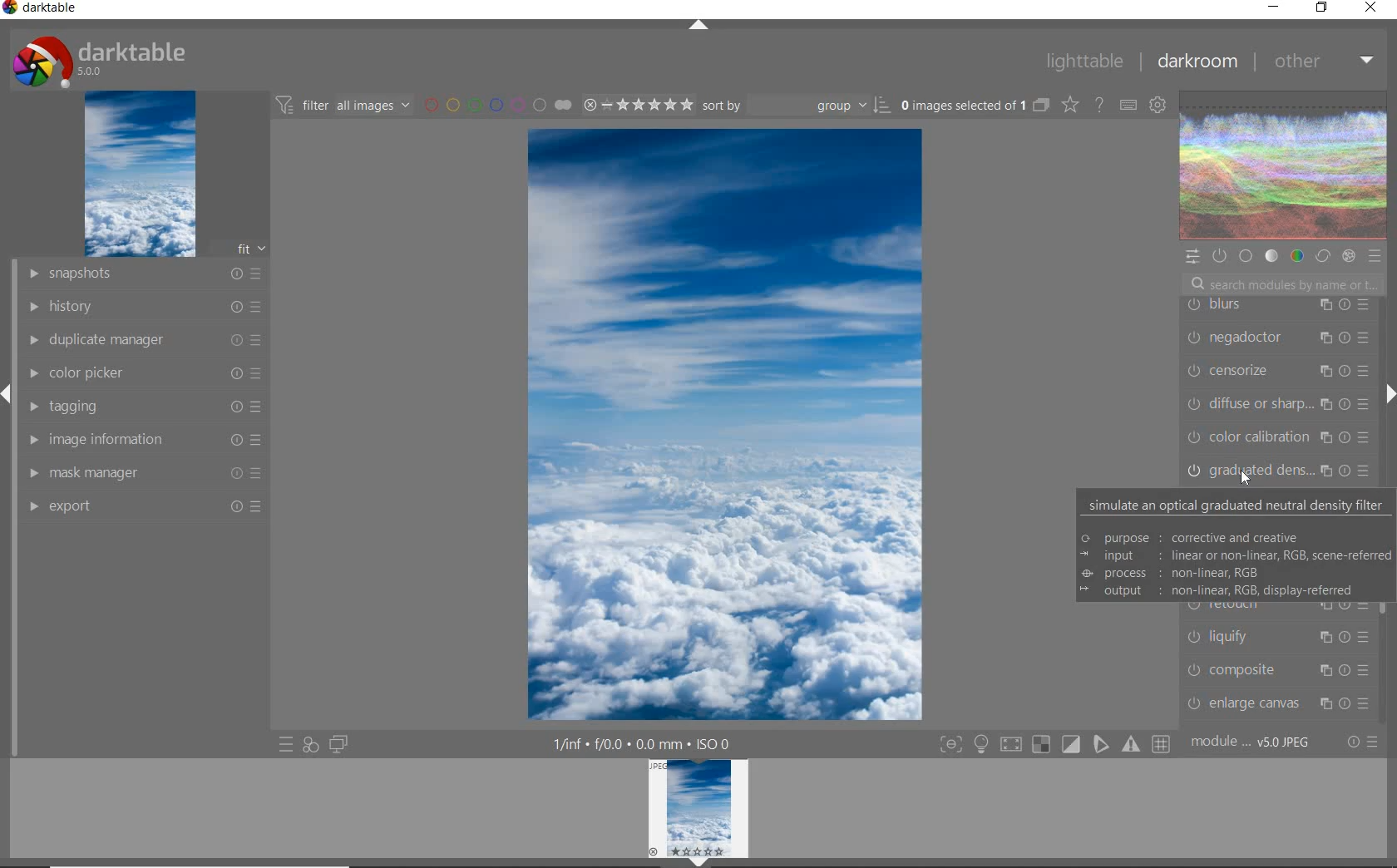  What do you see at coordinates (635, 102) in the screenshot?
I see `SELECTED IMAGE RANGE RATING` at bounding box center [635, 102].